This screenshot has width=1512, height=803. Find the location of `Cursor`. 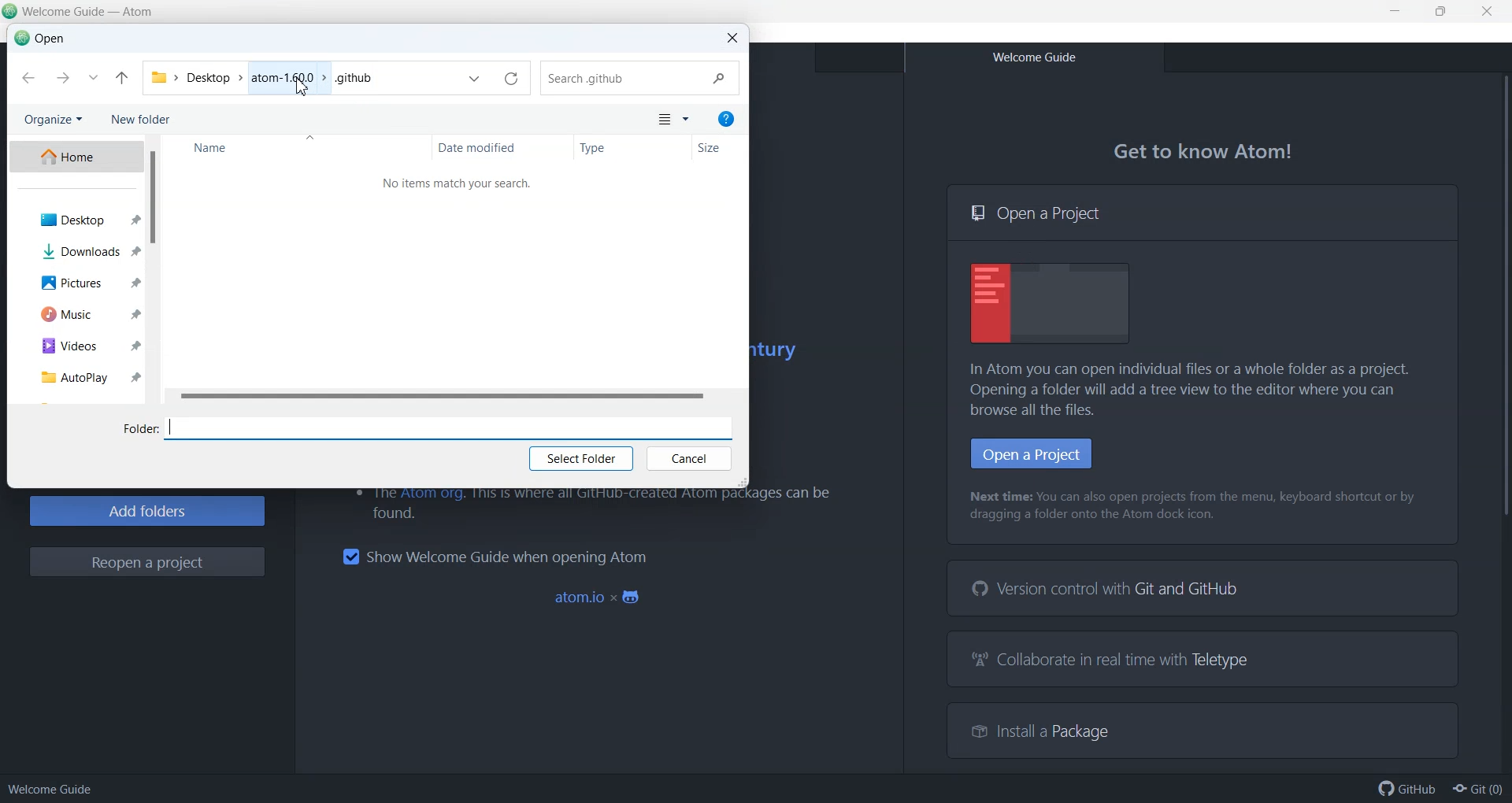

Cursor is located at coordinates (301, 88).